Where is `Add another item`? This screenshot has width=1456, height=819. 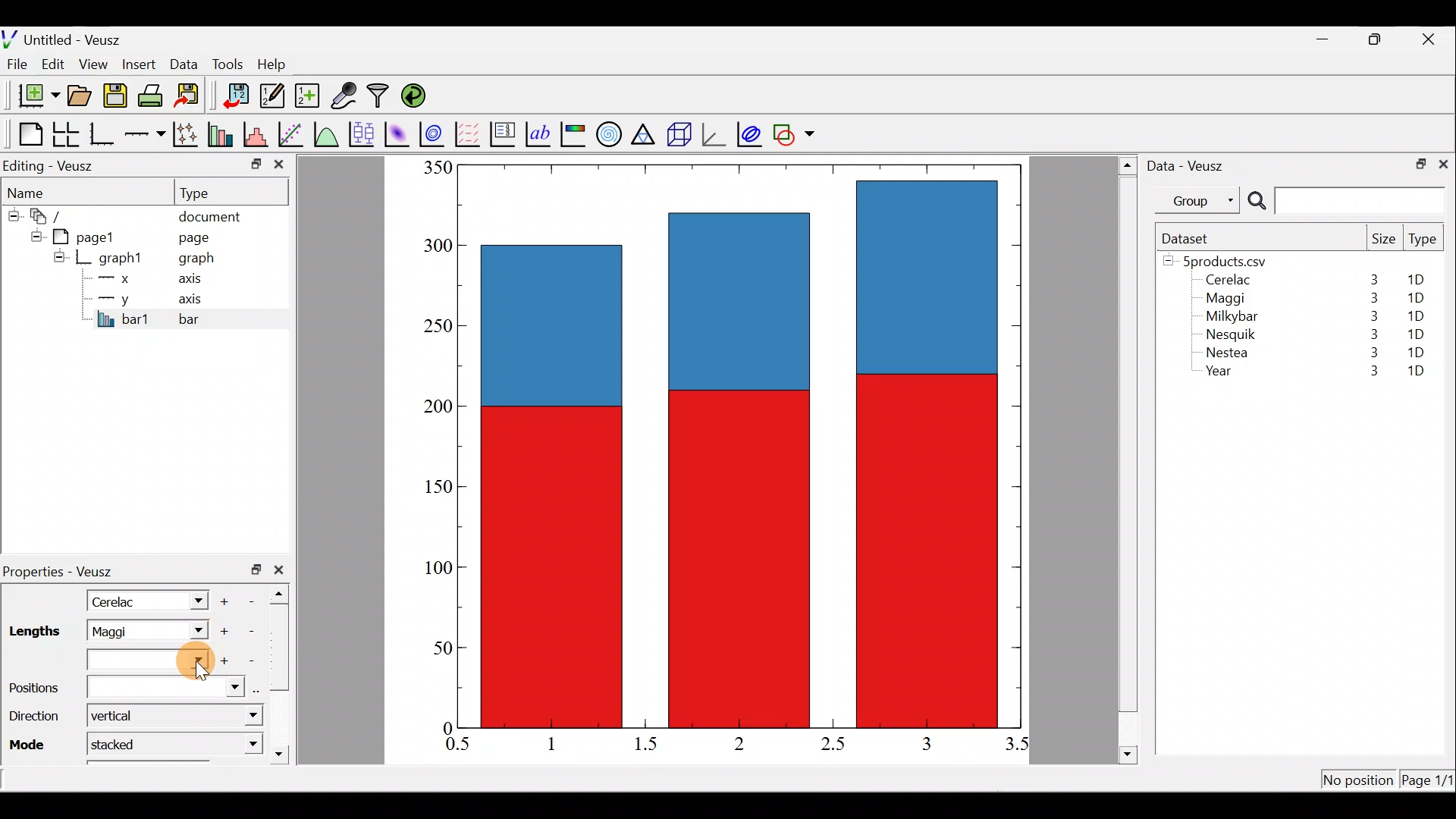
Add another item is located at coordinates (222, 632).